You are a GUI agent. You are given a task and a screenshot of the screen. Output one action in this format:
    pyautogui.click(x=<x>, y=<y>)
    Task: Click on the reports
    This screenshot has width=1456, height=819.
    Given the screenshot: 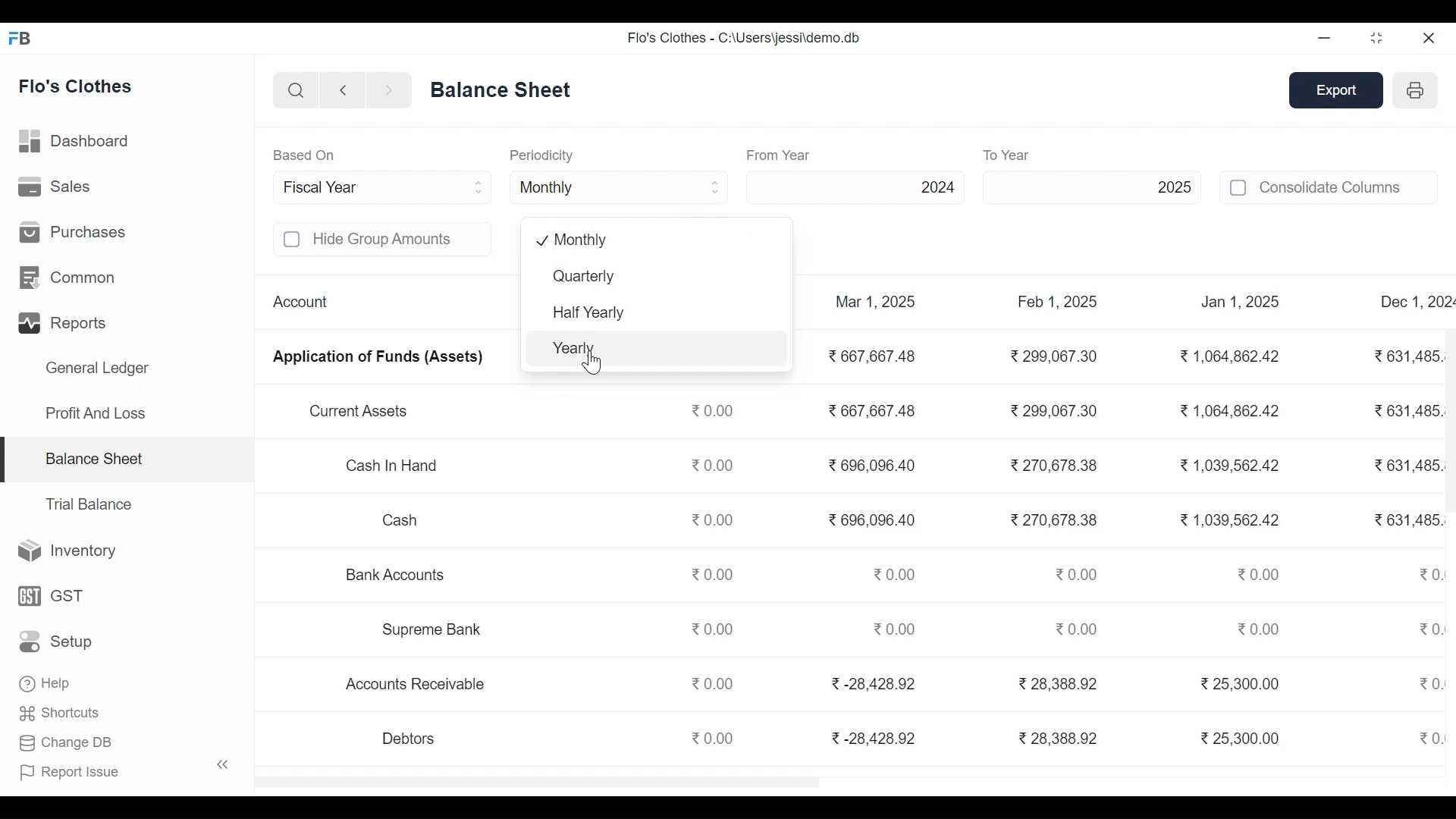 What is the action you would take?
    pyautogui.click(x=65, y=324)
    